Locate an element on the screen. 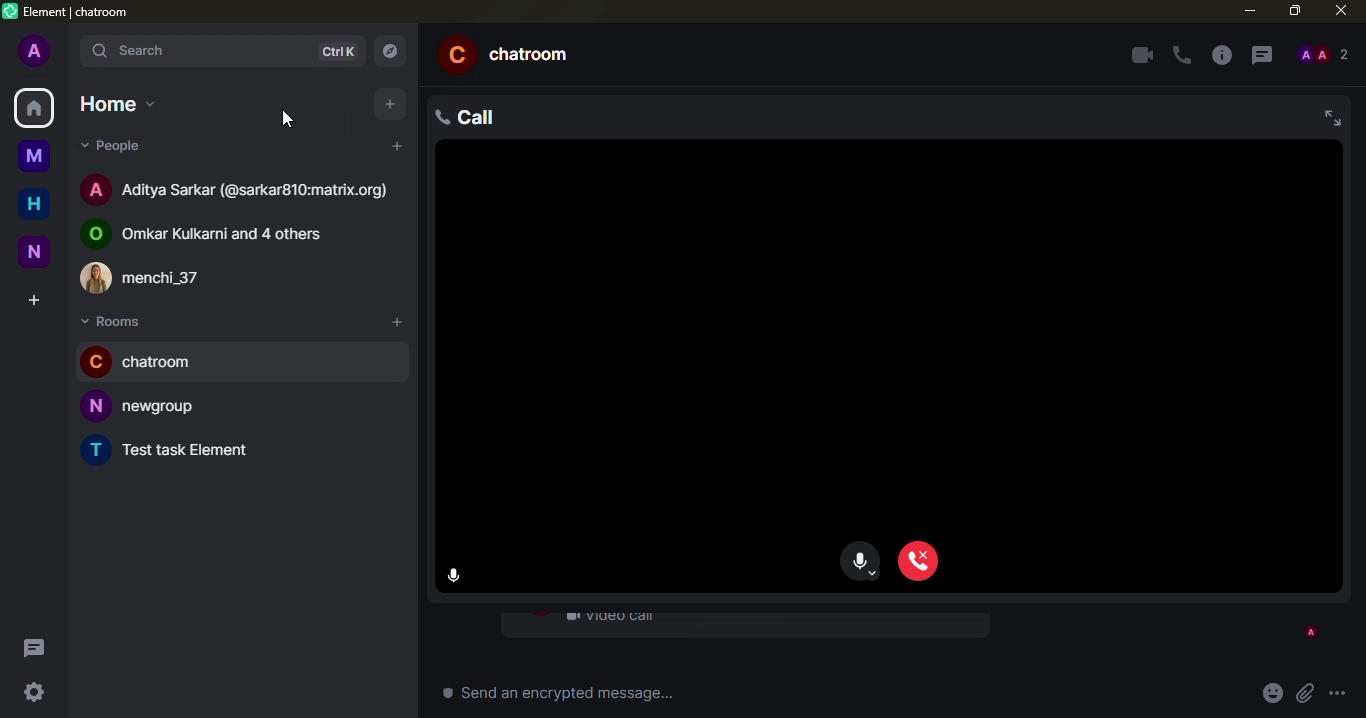 This screenshot has width=1366, height=718. home is located at coordinates (30, 203).